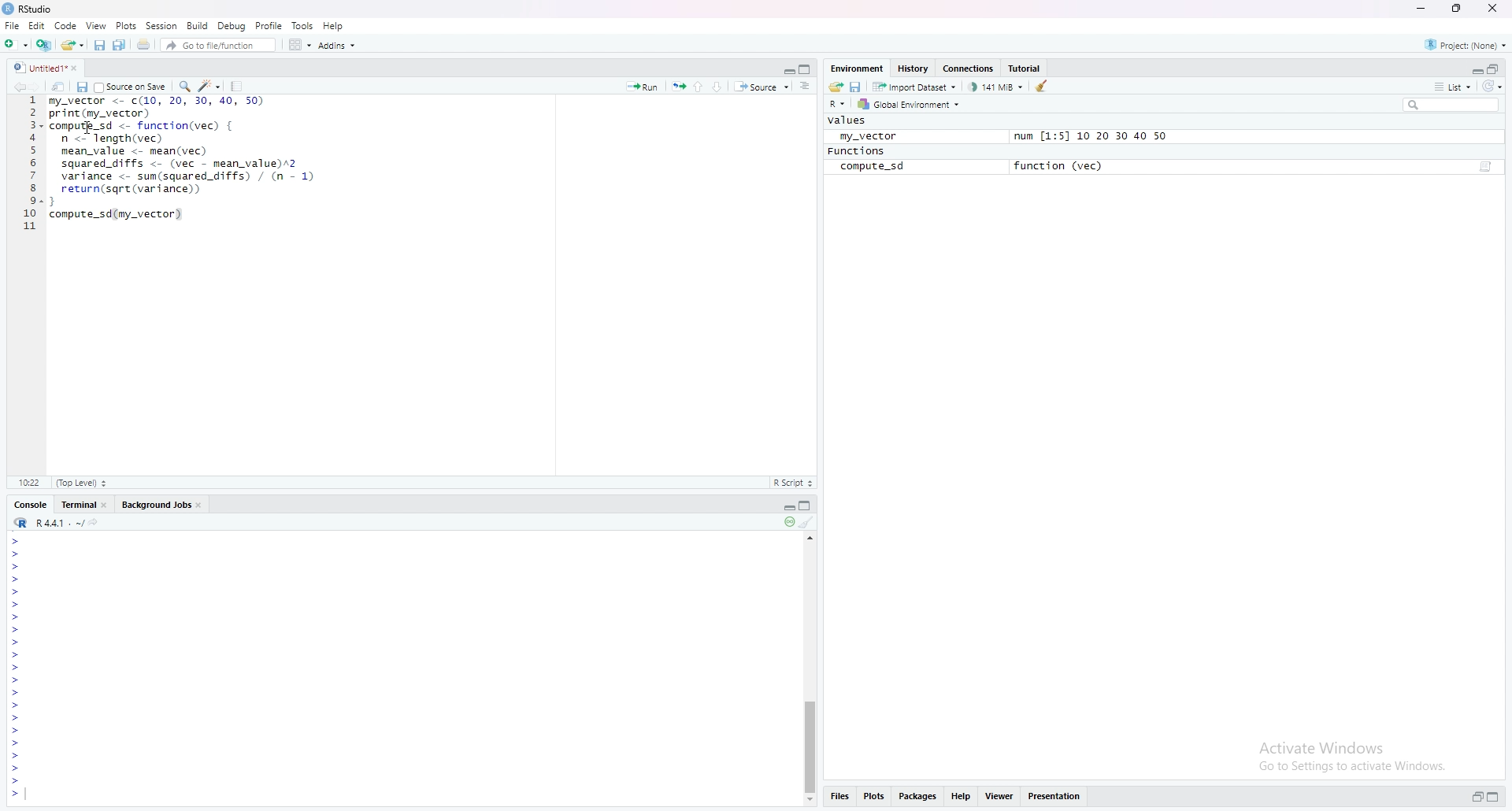 This screenshot has height=811, width=1512. I want to click on Files, so click(839, 795).